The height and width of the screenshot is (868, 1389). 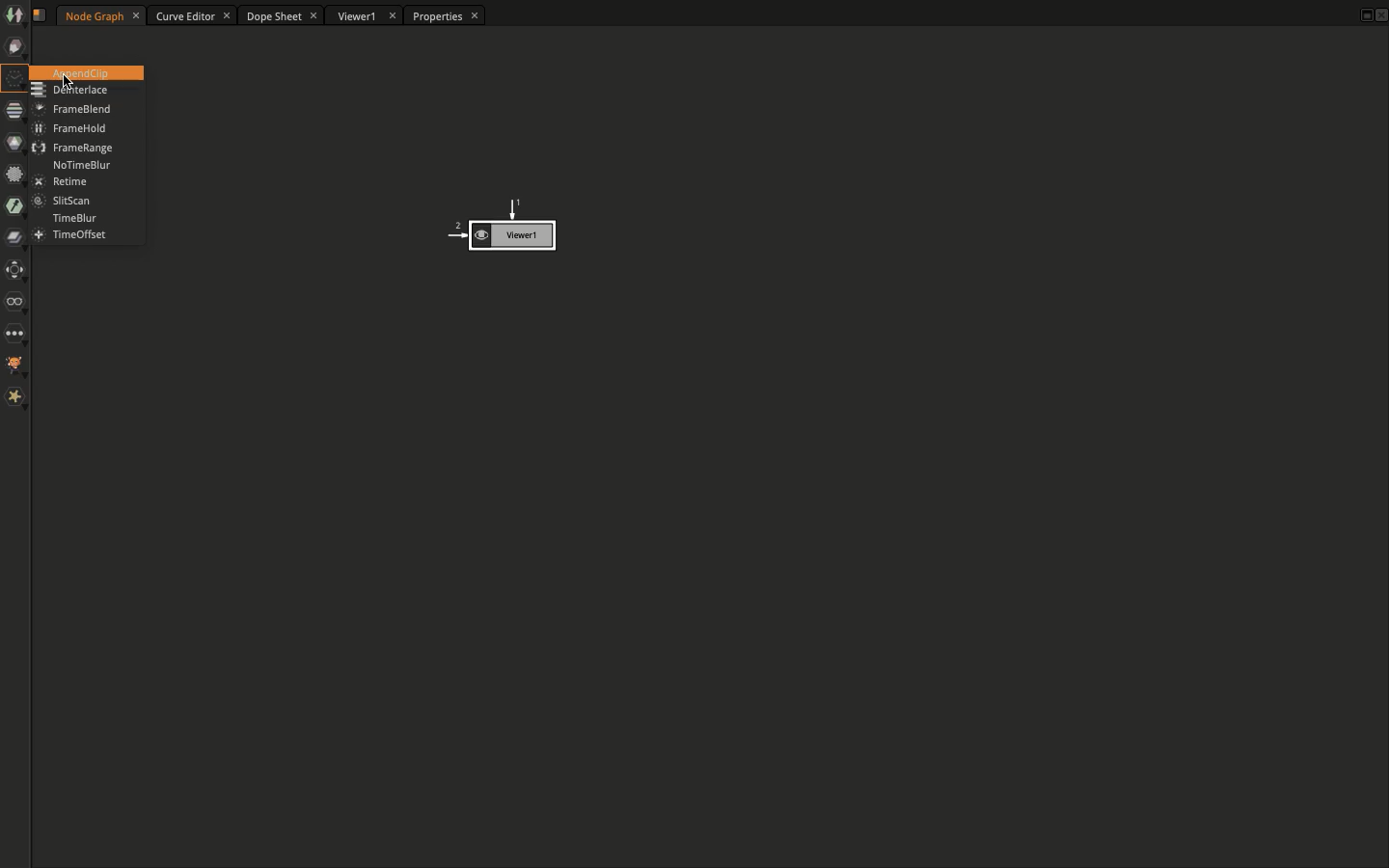 I want to click on Viewer node, so click(x=499, y=228).